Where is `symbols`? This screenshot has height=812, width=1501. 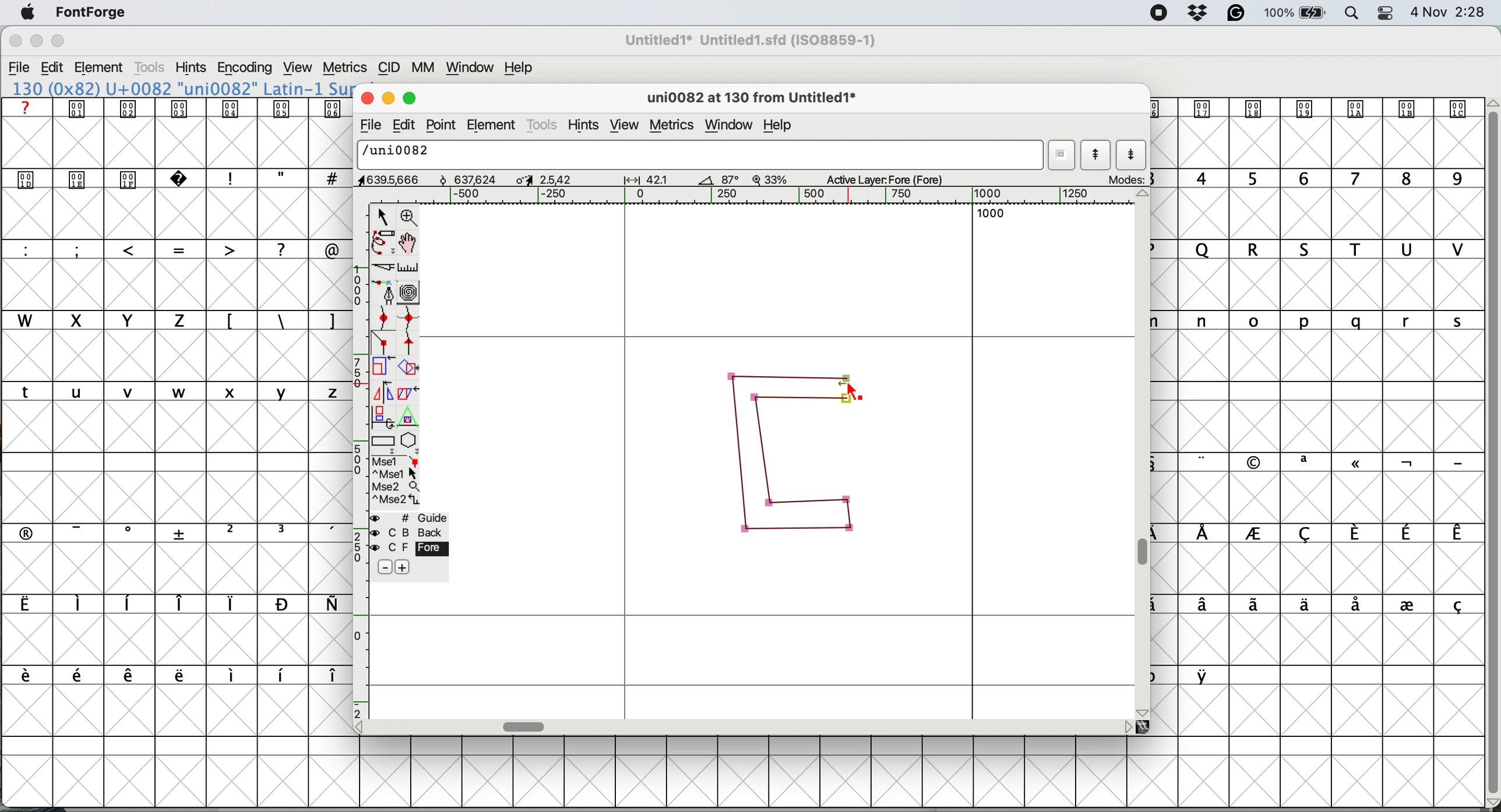 symbols is located at coordinates (172, 604).